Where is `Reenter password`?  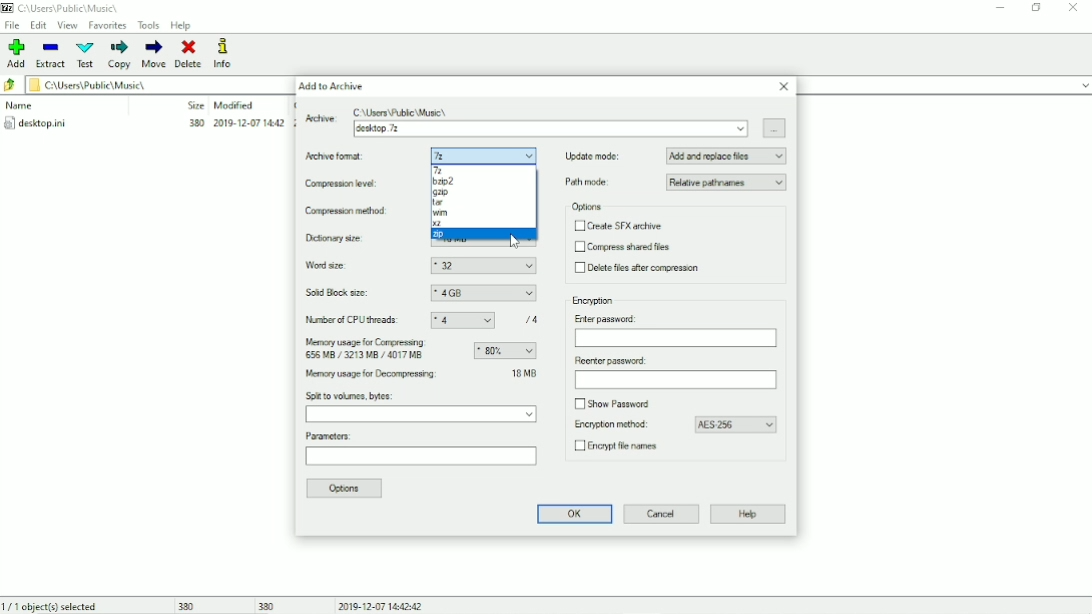
Reenter password is located at coordinates (675, 373).